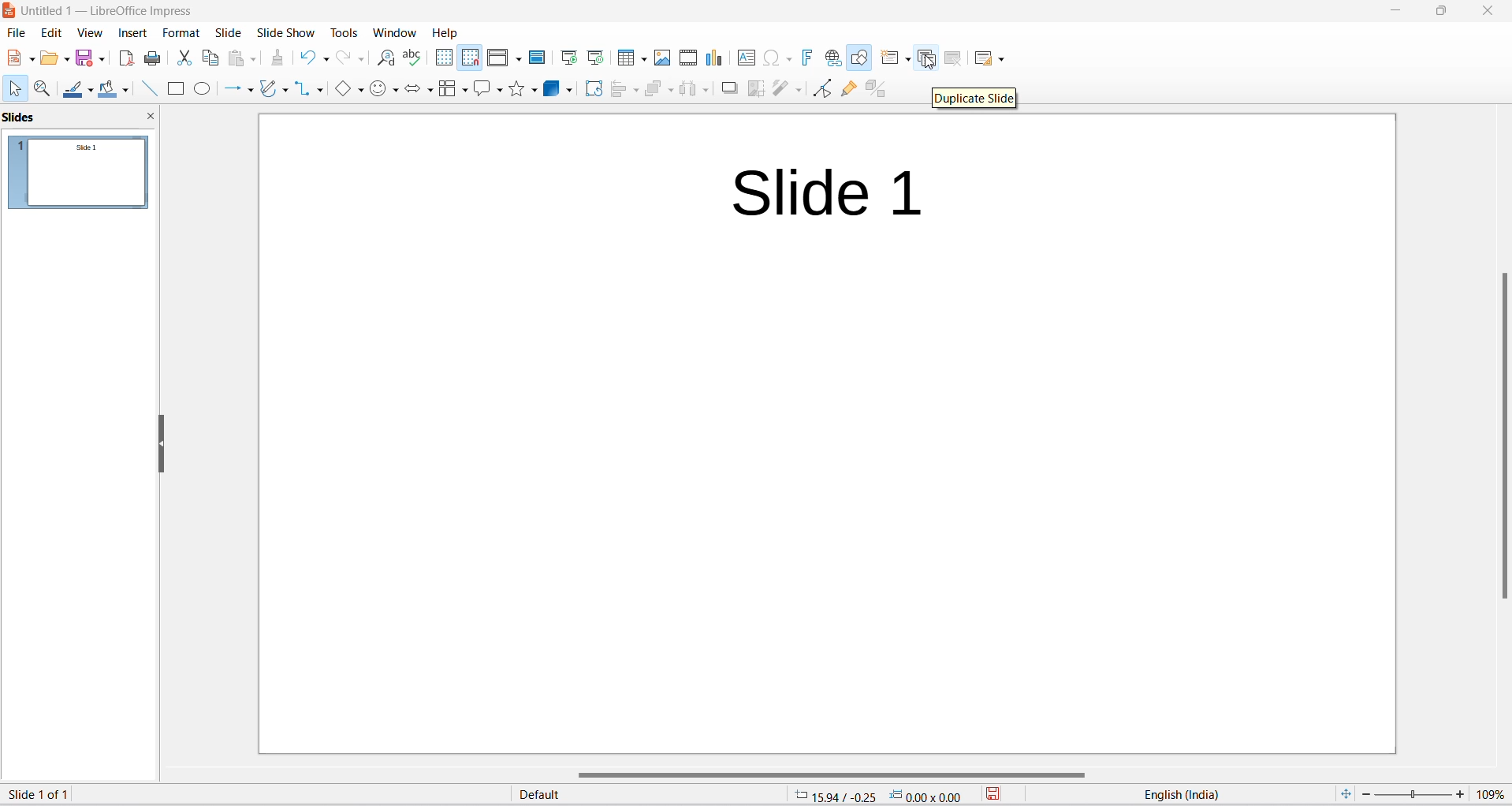  What do you see at coordinates (753, 91) in the screenshot?
I see `Crop image` at bounding box center [753, 91].